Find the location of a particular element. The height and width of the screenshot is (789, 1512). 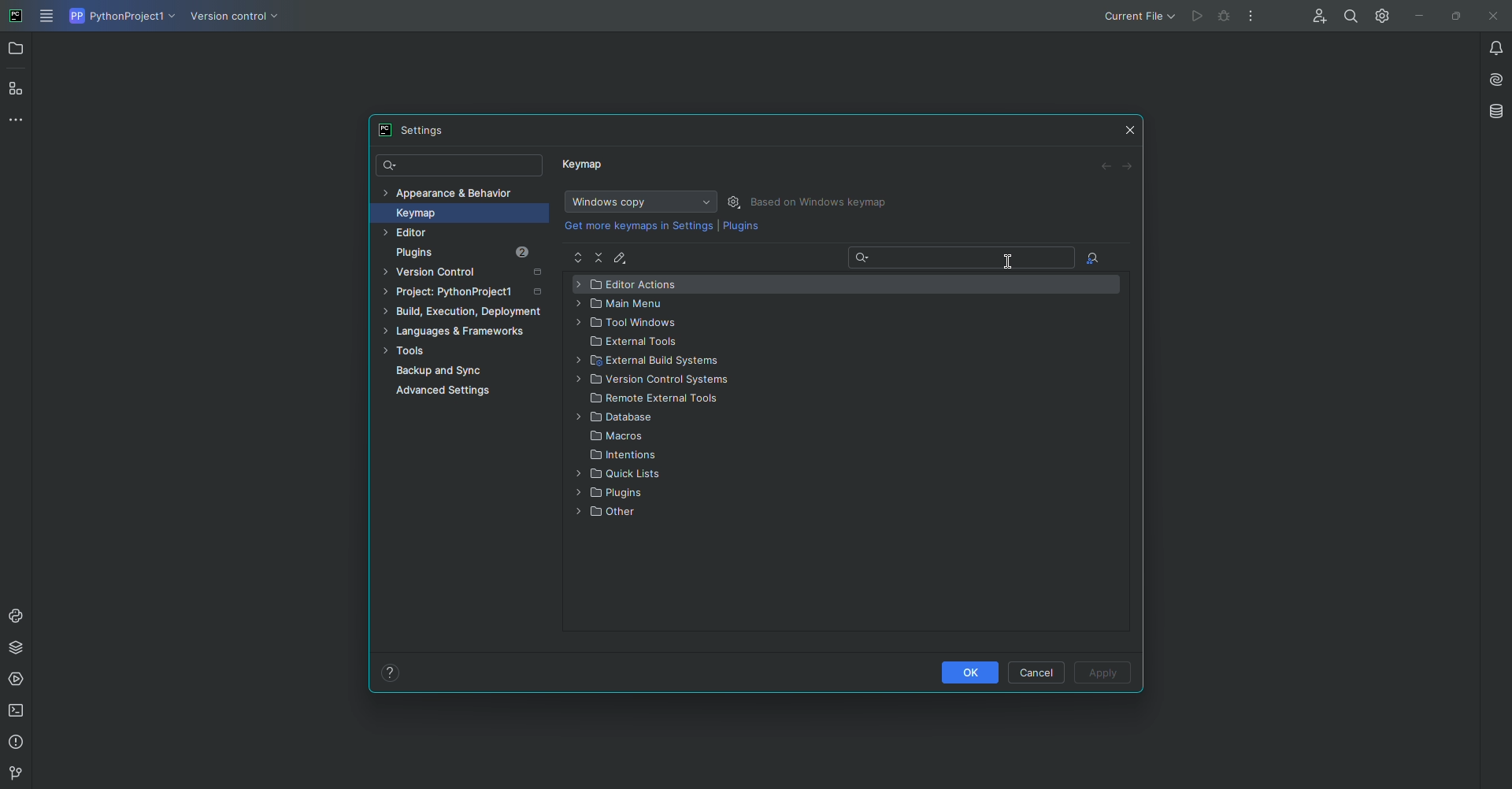

version Control is located at coordinates (13, 774).